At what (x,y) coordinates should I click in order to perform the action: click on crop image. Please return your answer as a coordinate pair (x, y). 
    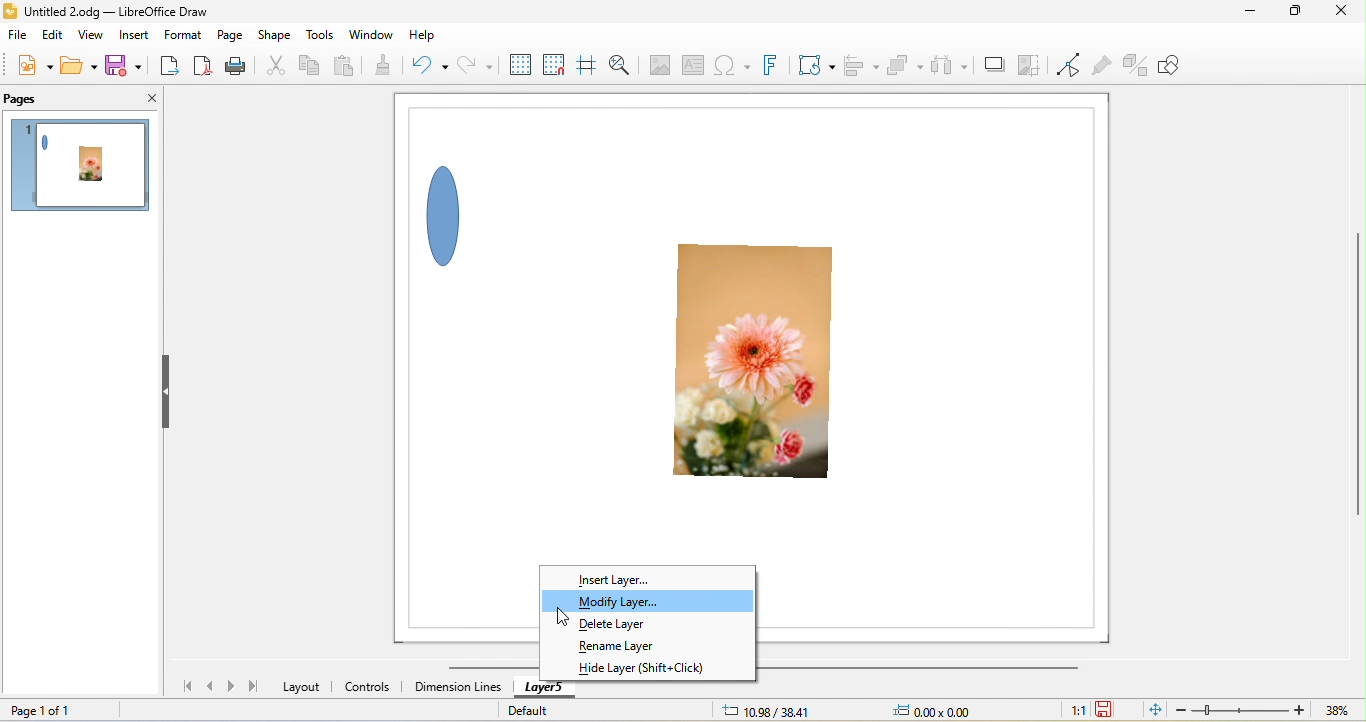
    Looking at the image, I should click on (1030, 66).